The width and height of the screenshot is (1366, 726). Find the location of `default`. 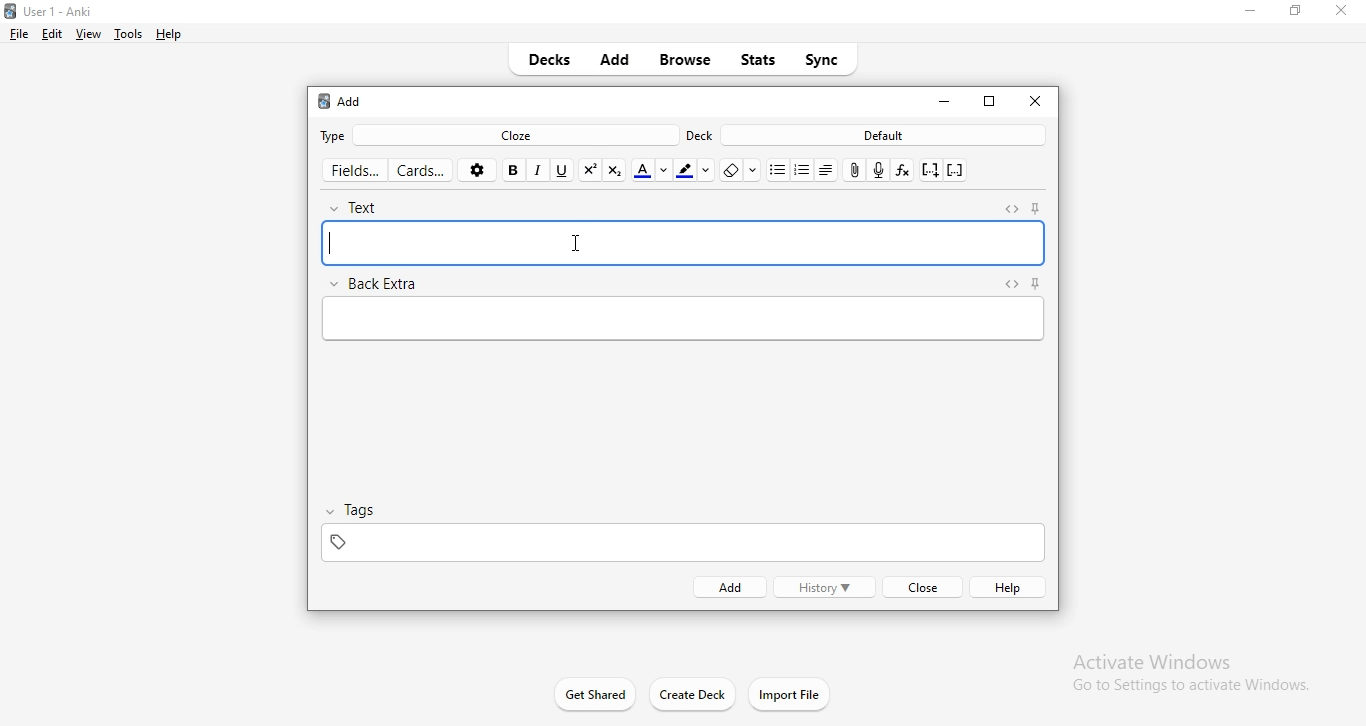

default is located at coordinates (885, 136).